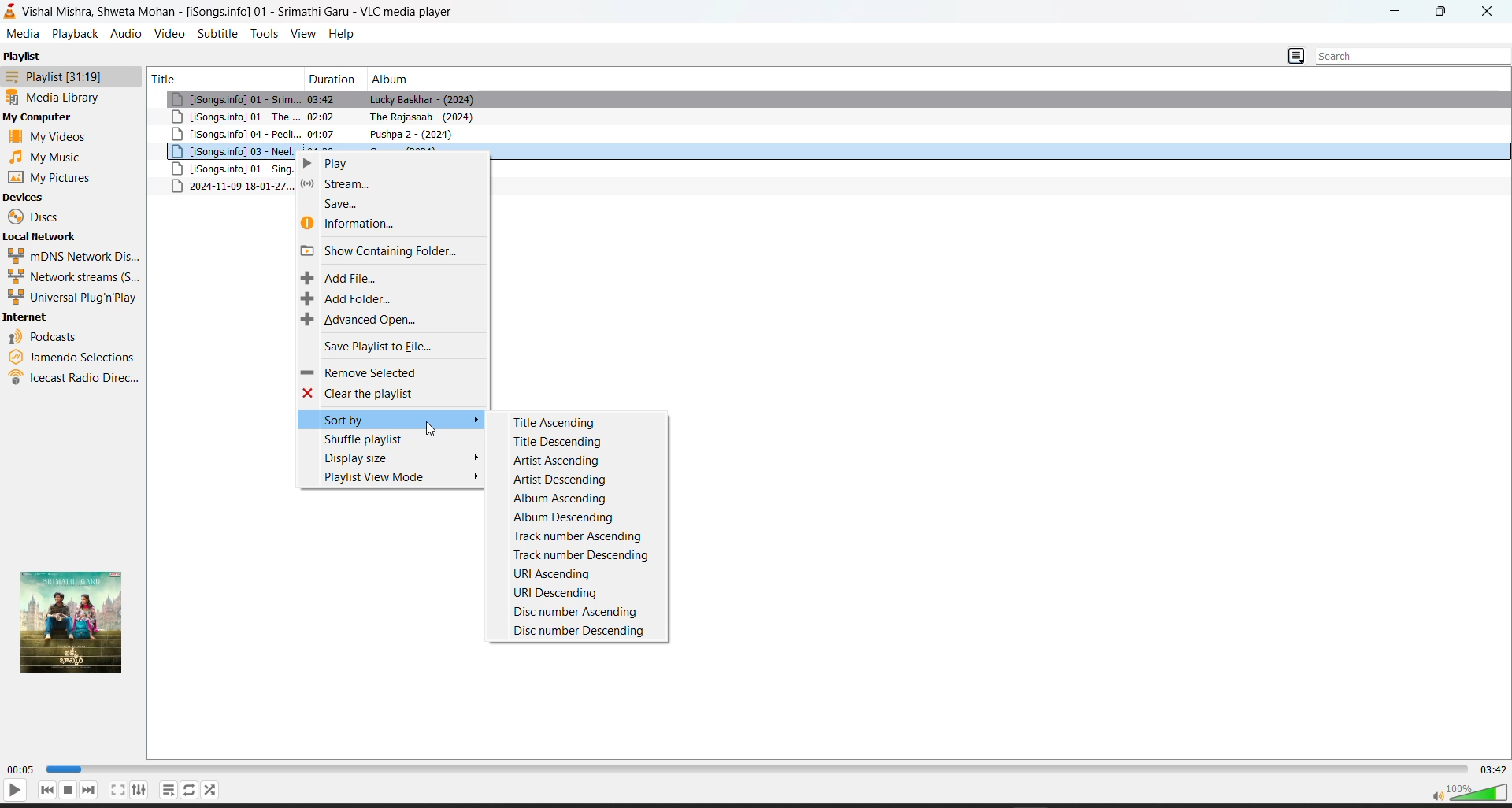 Image resolution: width=1512 pixels, height=808 pixels. What do you see at coordinates (571, 630) in the screenshot?
I see `disc number descending` at bounding box center [571, 630].